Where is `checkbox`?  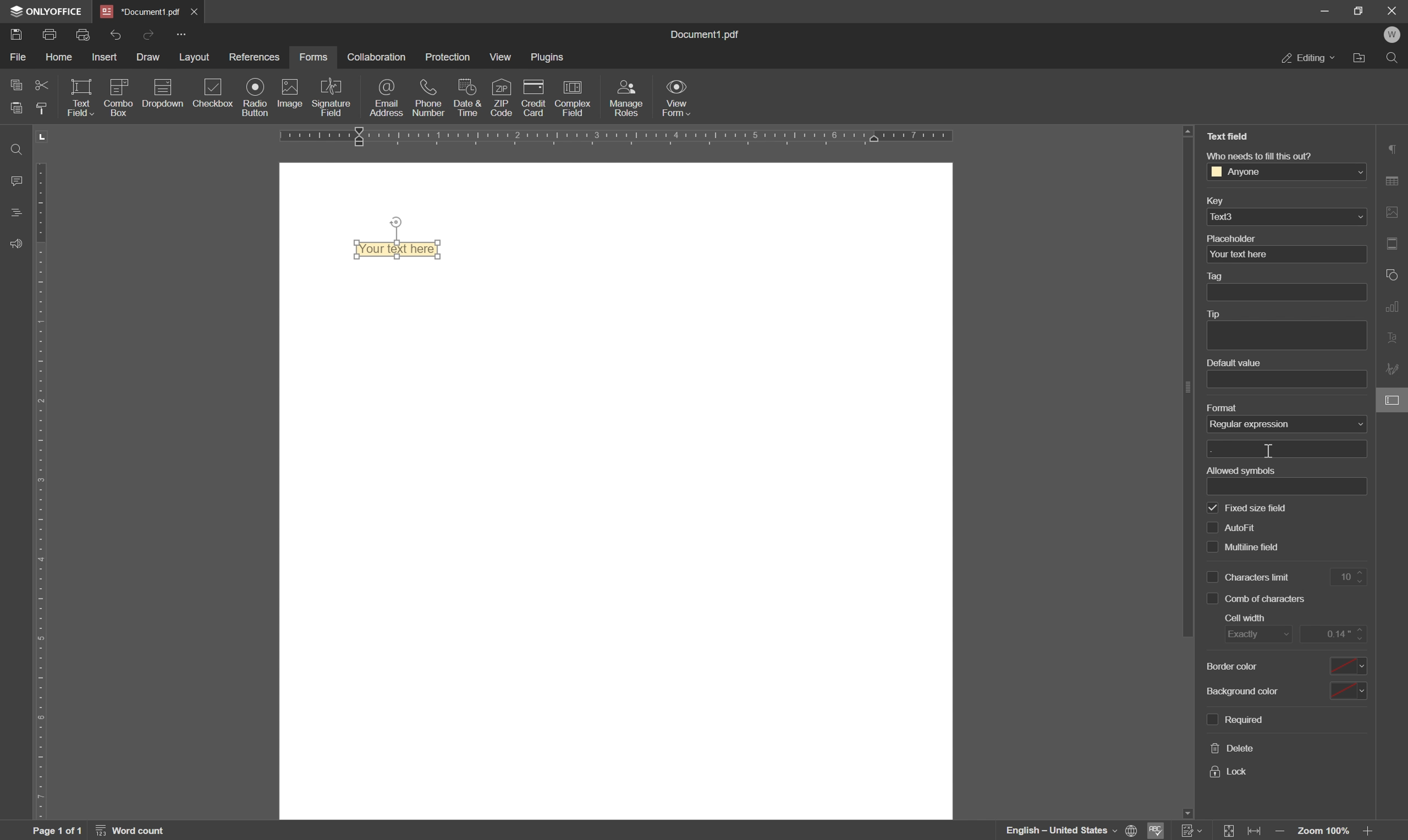 checkbox is located at coordinates (1212, 550).